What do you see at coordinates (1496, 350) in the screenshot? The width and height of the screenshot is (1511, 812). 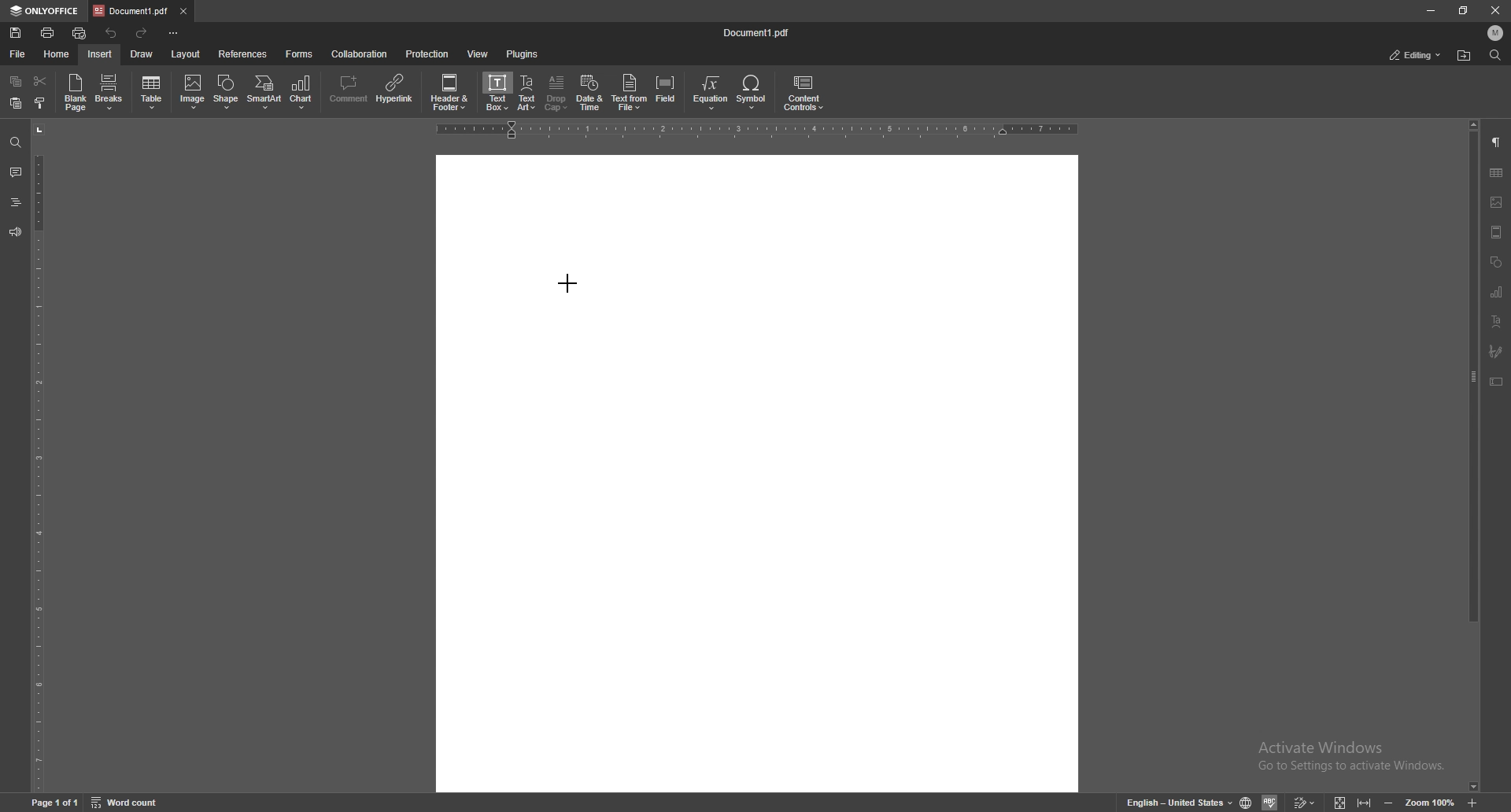 I see `signature field` at bounding box center [1496, 350].